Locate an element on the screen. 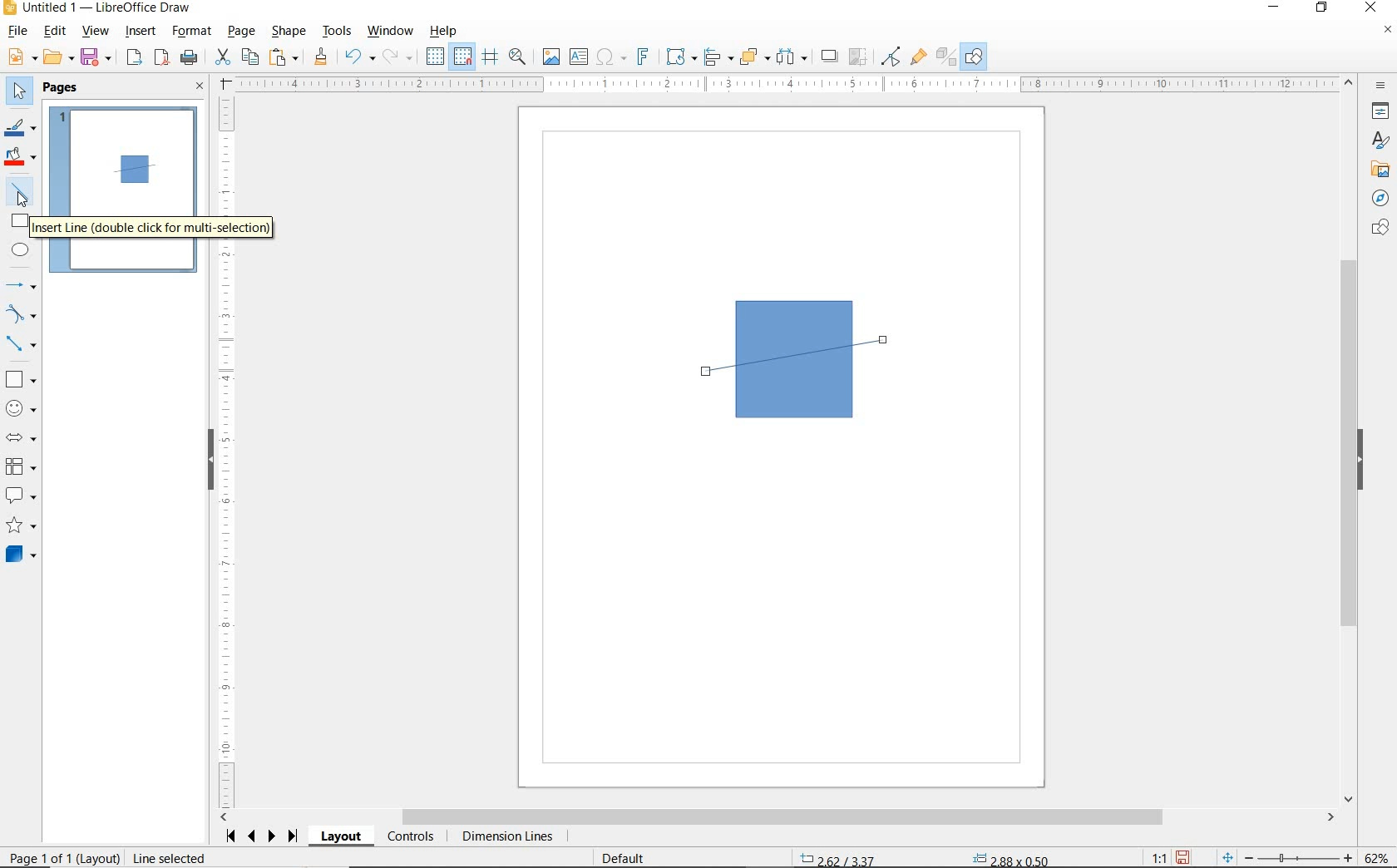  SHOW GLUEPOINT FUNCTIONS is located at coordinates (917, 56).